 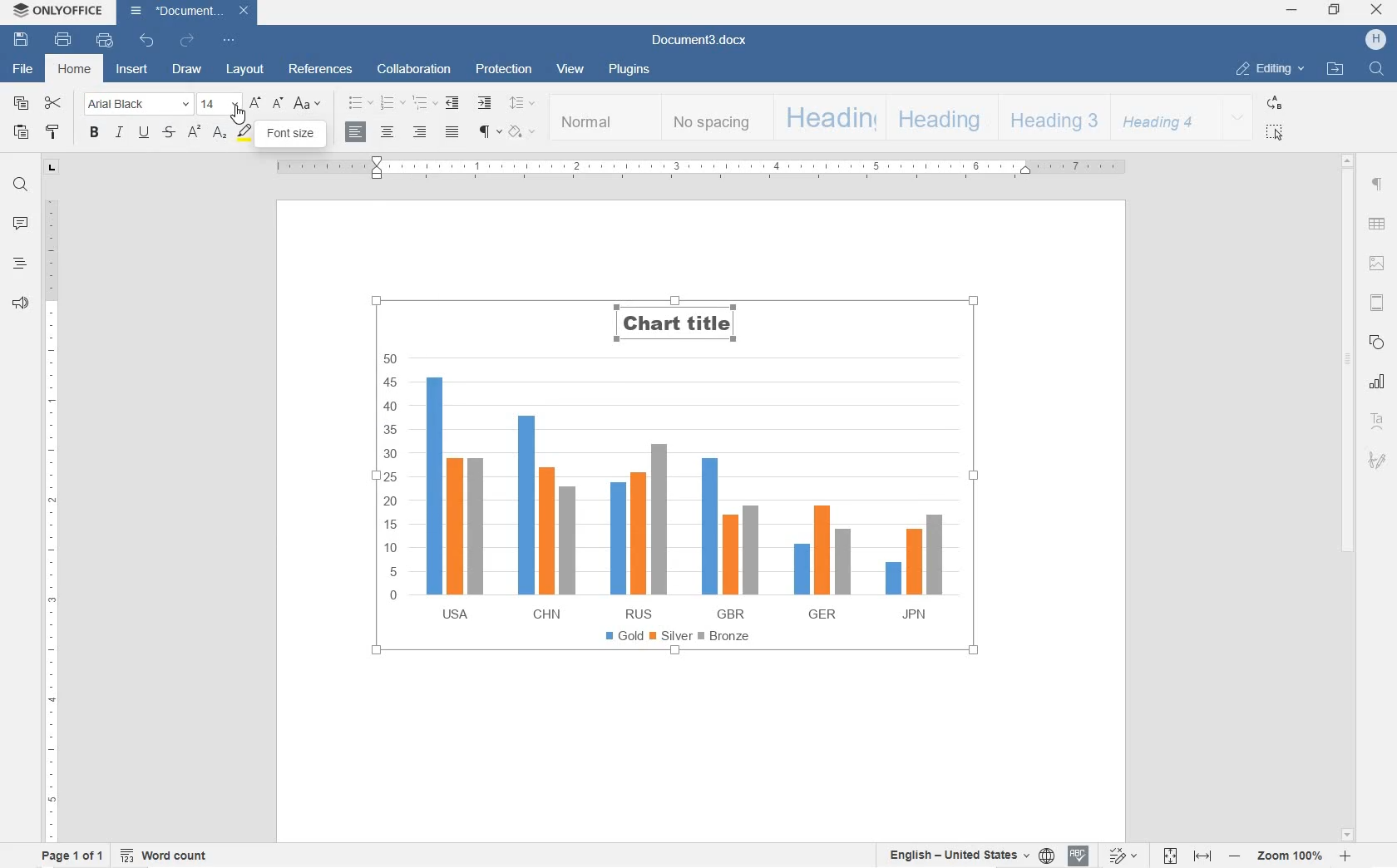 I want to click on BULLET, so click(x=360, y=104).